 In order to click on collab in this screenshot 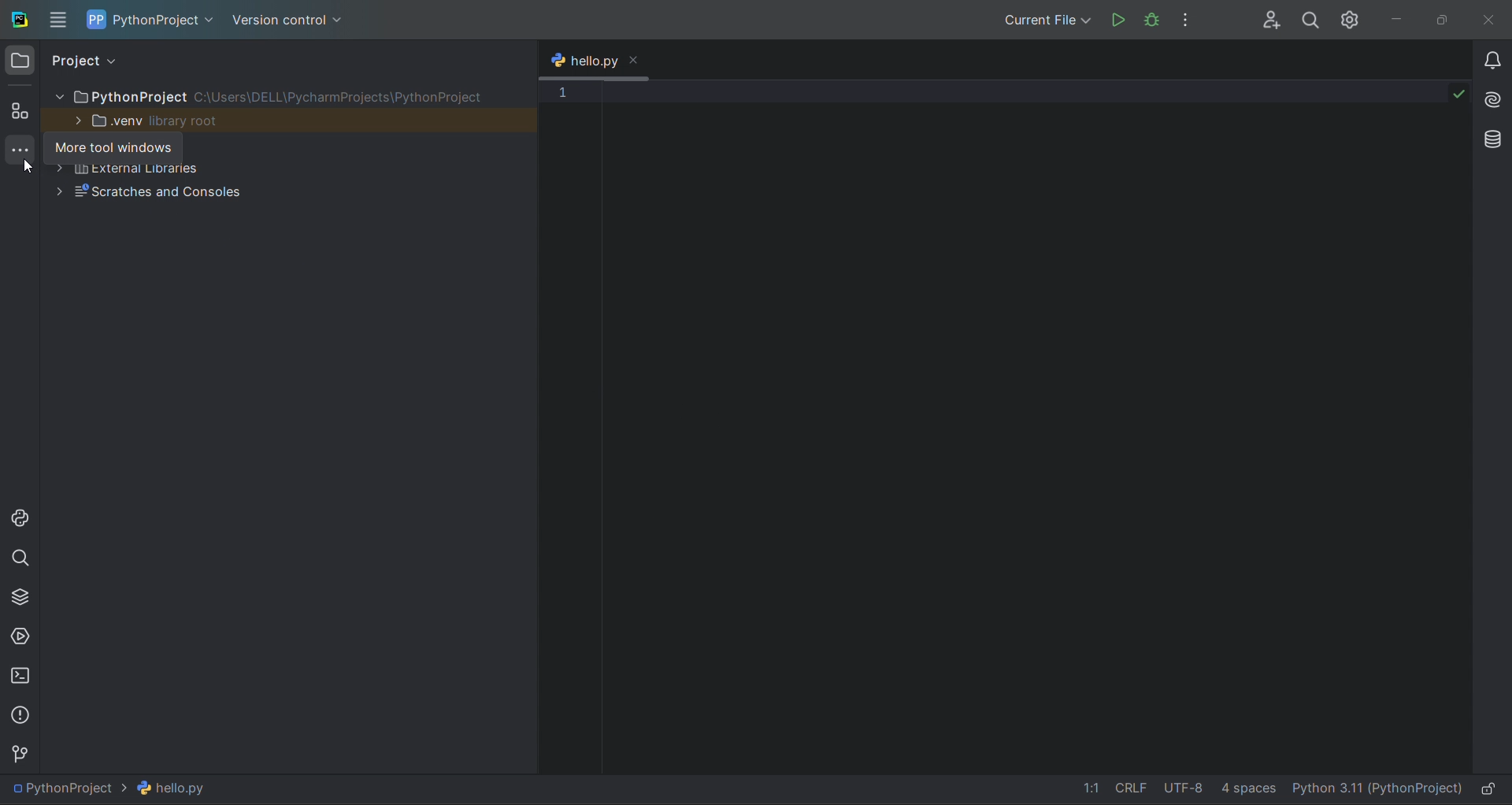, I will do `click(1272, 20)`.